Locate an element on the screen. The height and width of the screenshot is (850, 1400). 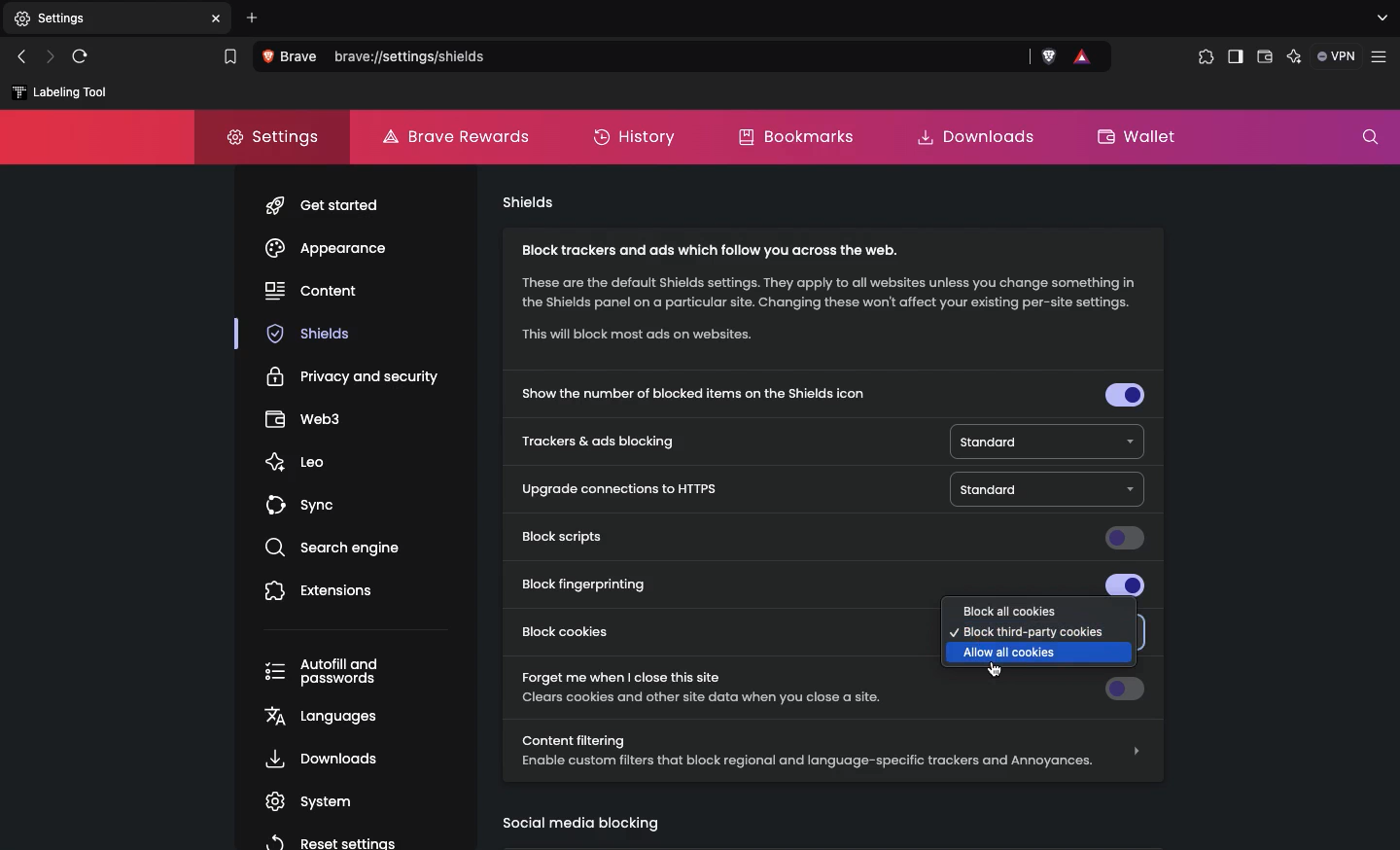
brave rewards is located at coordinates (1079, 55).